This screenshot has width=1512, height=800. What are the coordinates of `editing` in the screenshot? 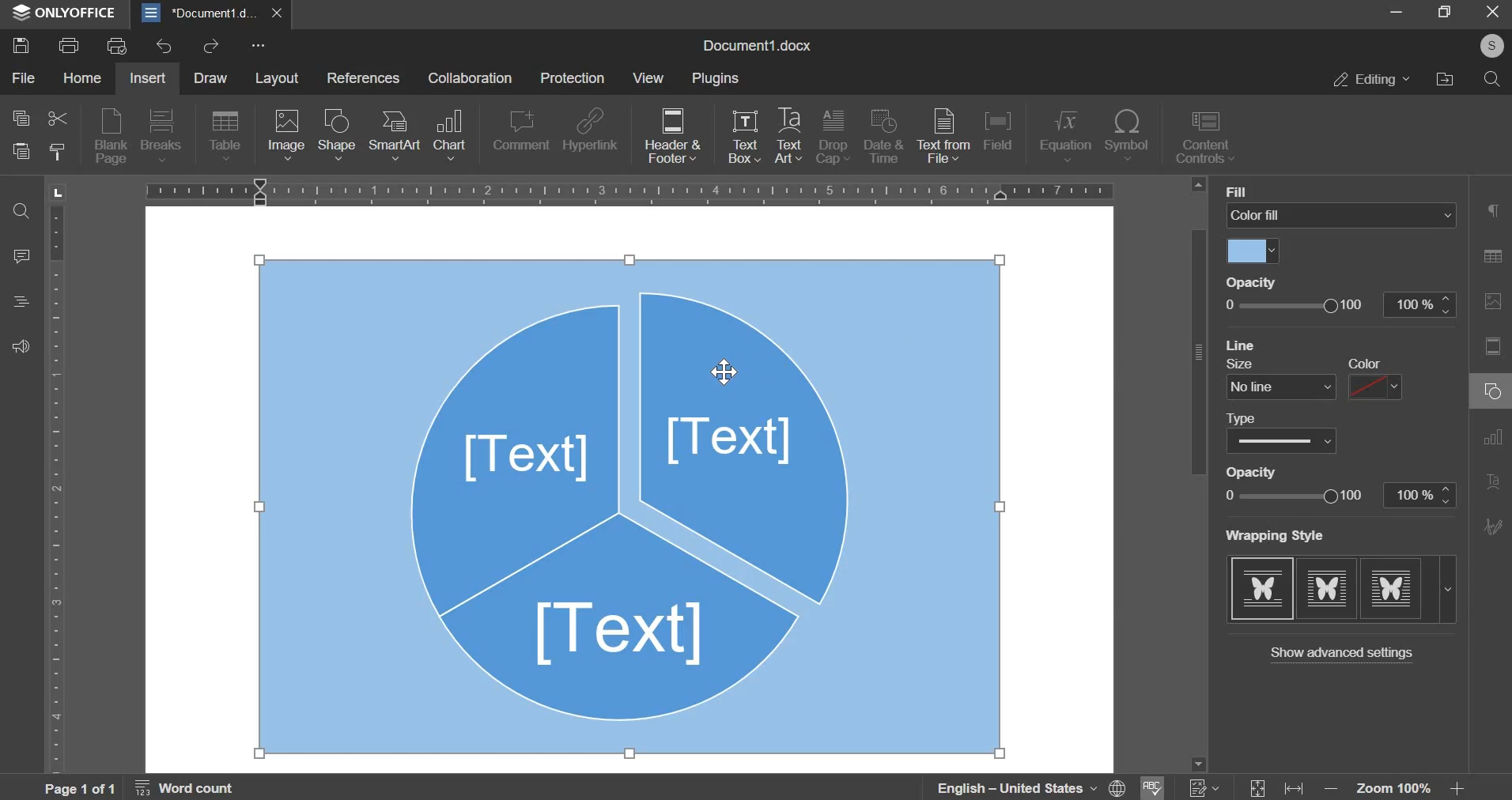 It's located at (1369, 77).